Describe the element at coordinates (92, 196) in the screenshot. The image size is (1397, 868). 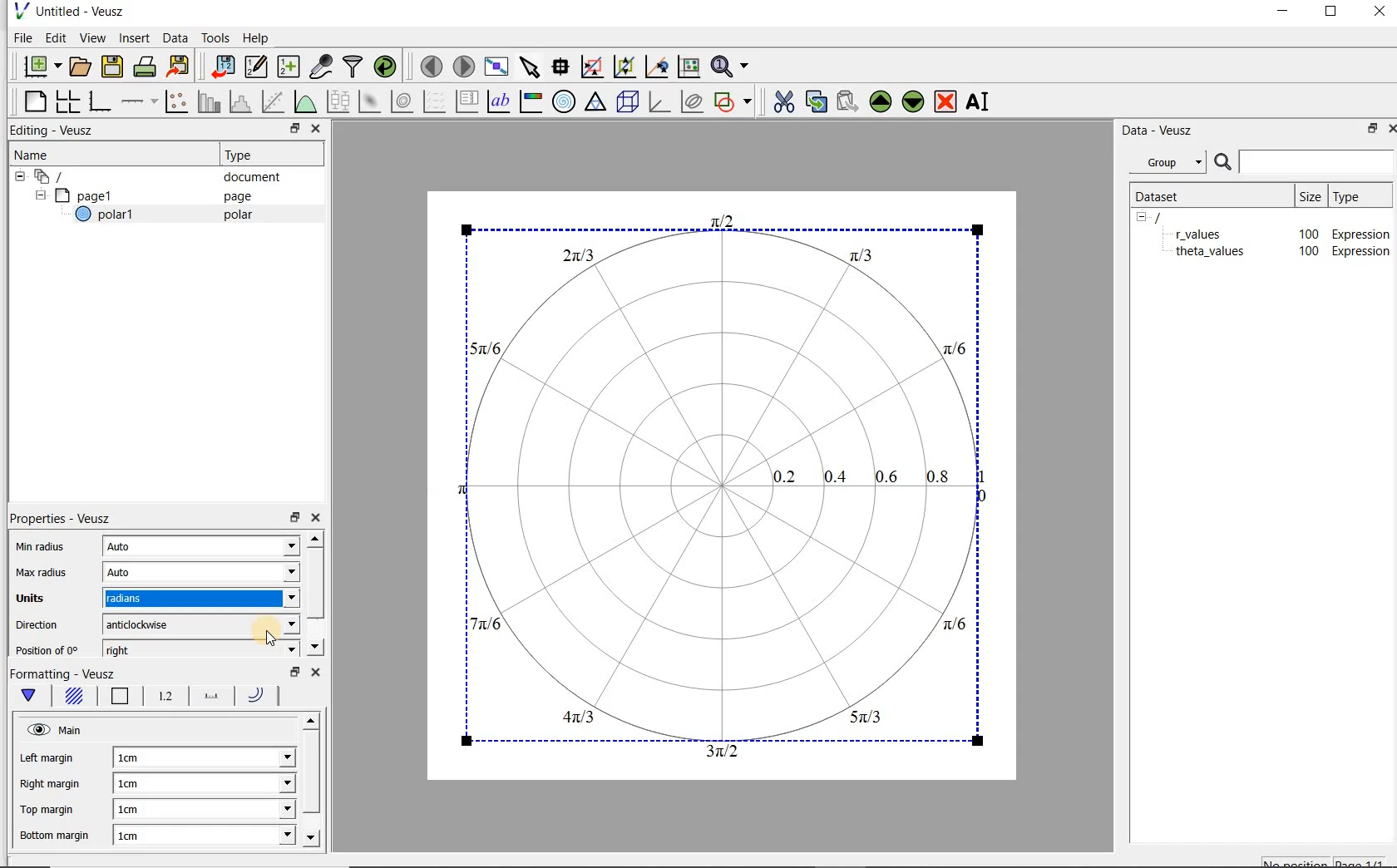
I see `page1` at that location.